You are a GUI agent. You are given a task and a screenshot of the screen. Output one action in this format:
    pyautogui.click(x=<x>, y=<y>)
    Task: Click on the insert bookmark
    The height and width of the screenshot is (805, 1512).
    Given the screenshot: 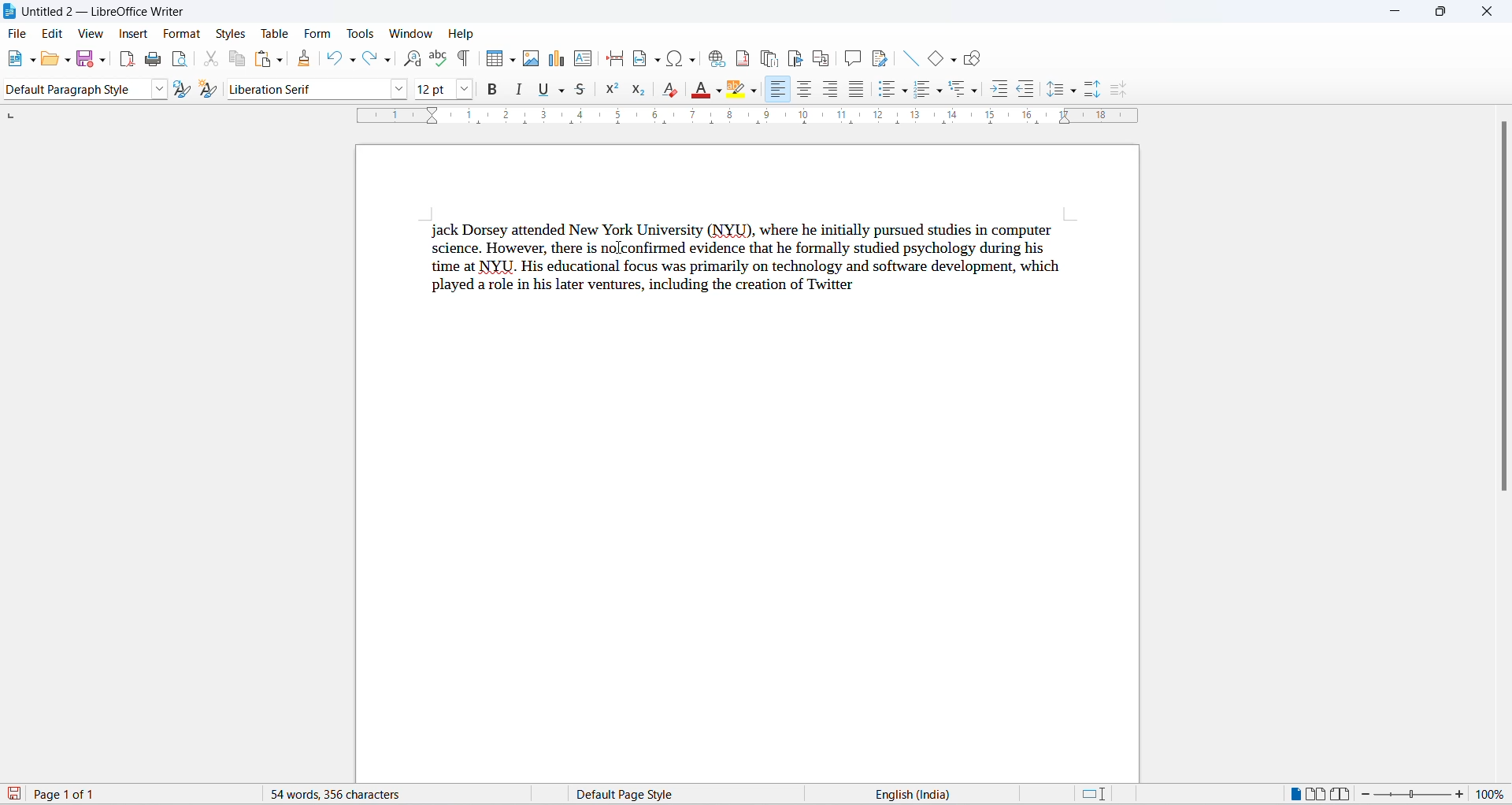 What is the action you would take?
    pyautogui.click(x=795, y=57)
    